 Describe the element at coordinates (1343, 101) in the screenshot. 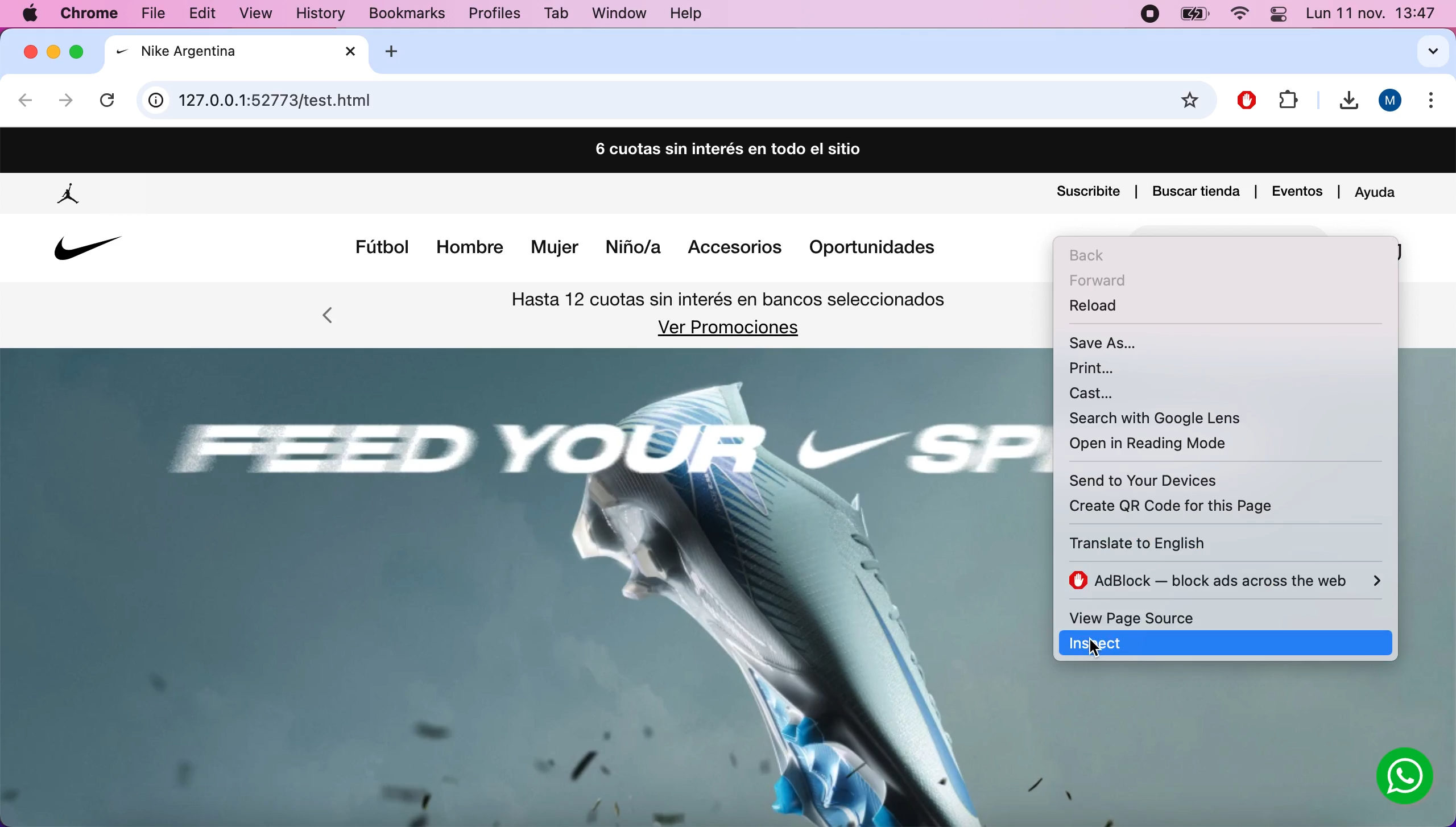

I see `downloads` at that location.